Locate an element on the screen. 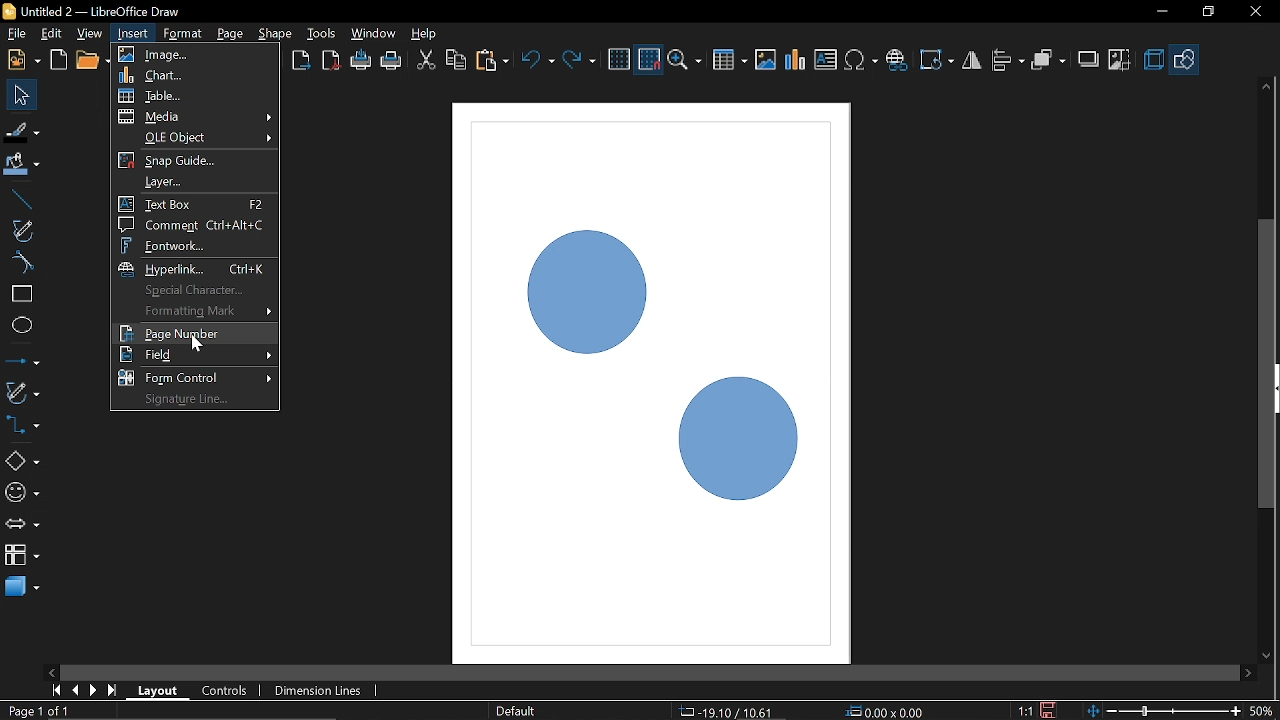 The image size is (1280, 720). Comment is located at coordinates (193, 225).